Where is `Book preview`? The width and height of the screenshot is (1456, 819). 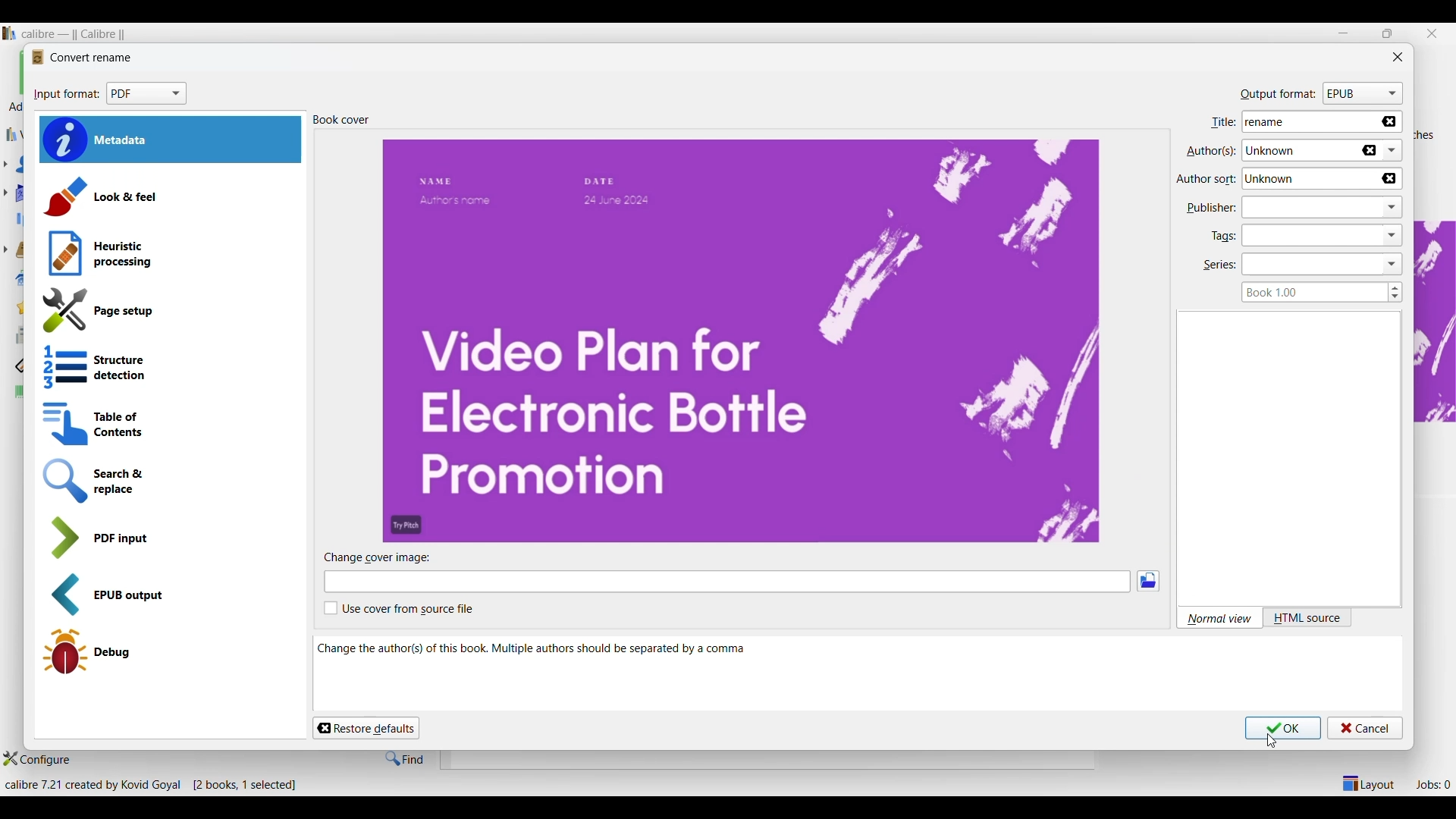 Book preview is located at coordinates (737, 340).